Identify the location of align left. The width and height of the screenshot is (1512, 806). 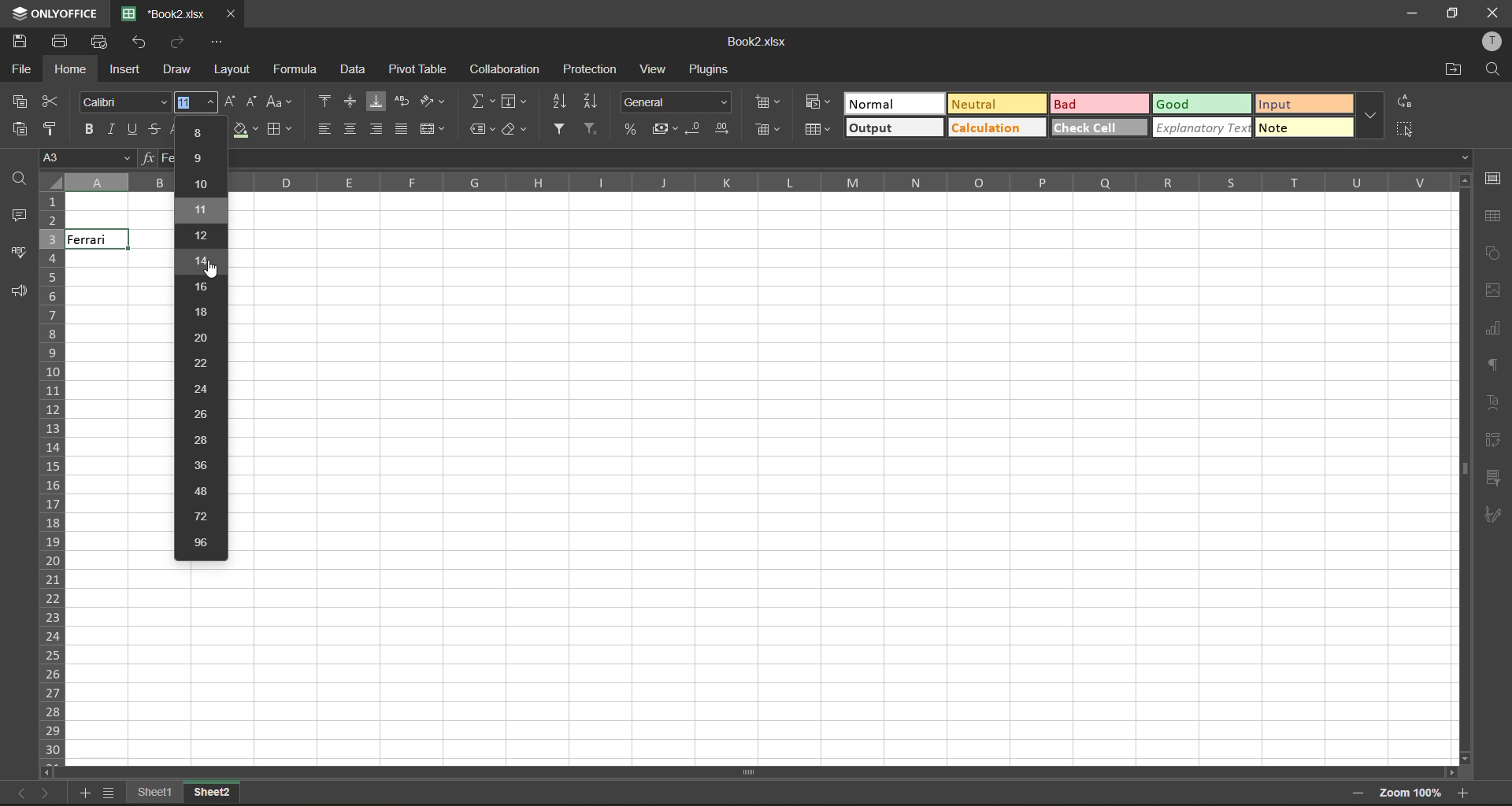
(322, 128).